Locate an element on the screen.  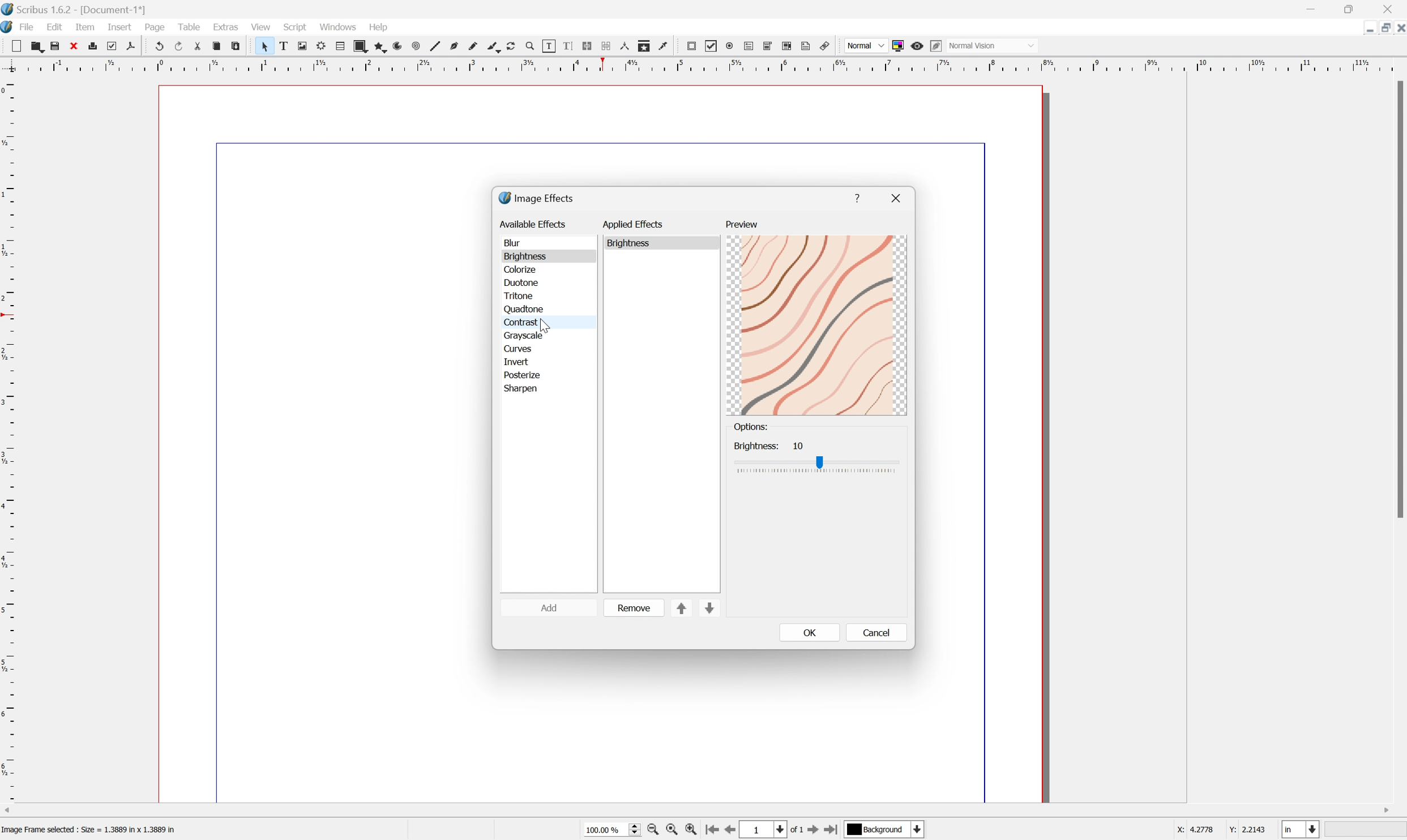
Eye dropper is located at coordinates (667, 48).